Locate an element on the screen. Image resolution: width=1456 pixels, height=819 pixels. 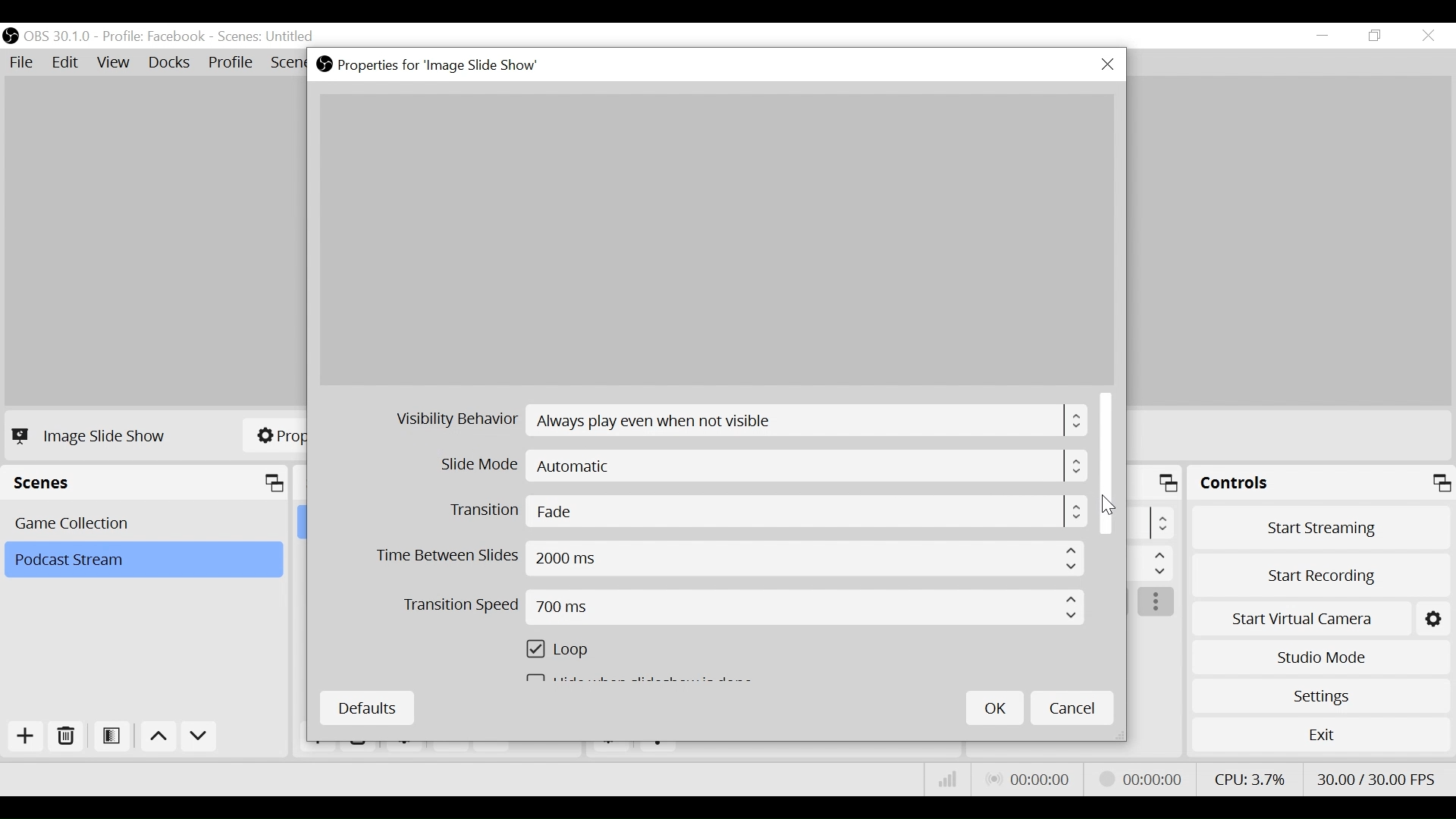
Transition Speed is located at coordinates (744, 607).